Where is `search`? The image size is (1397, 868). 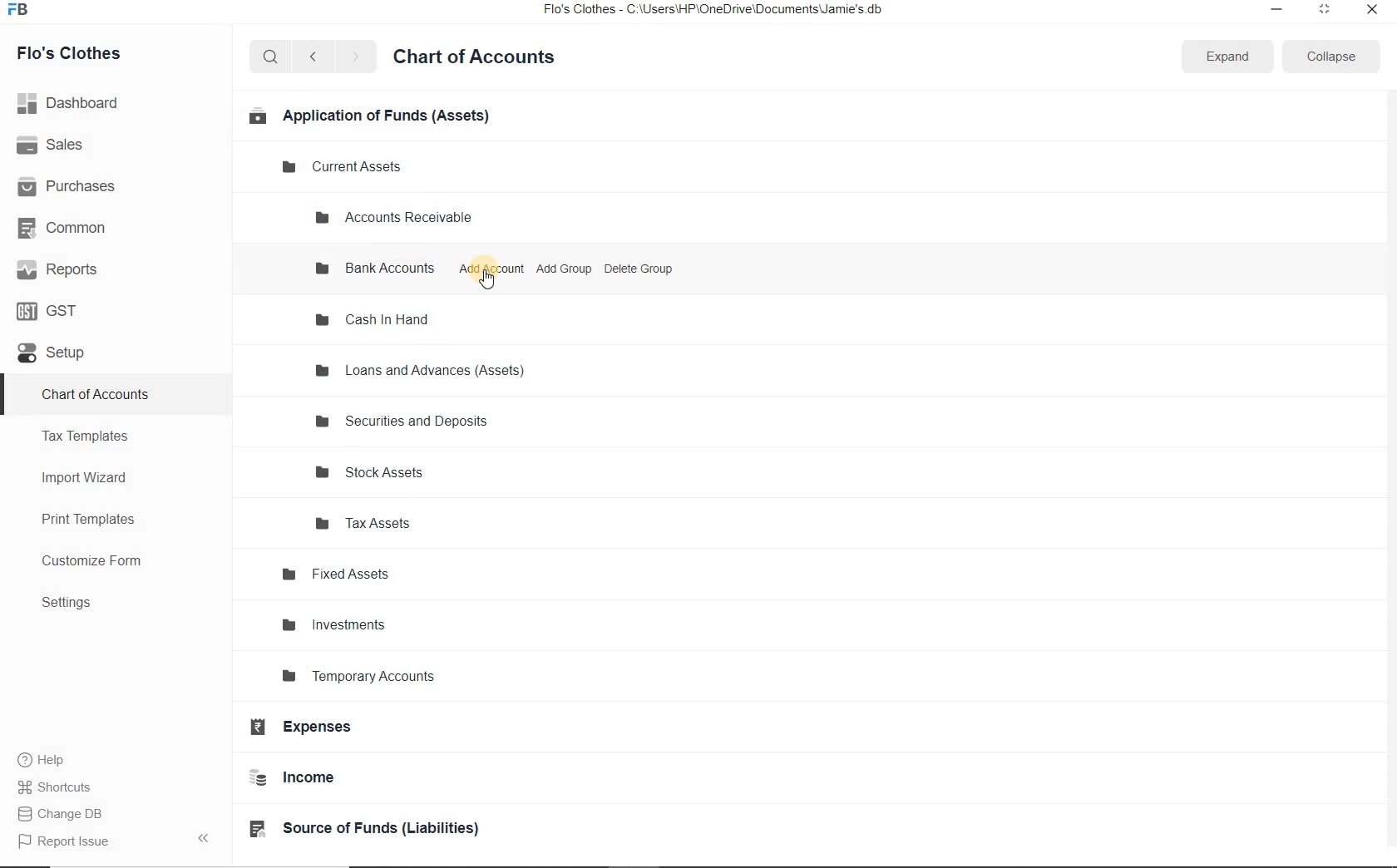 search is located at coordinates (271, 57).